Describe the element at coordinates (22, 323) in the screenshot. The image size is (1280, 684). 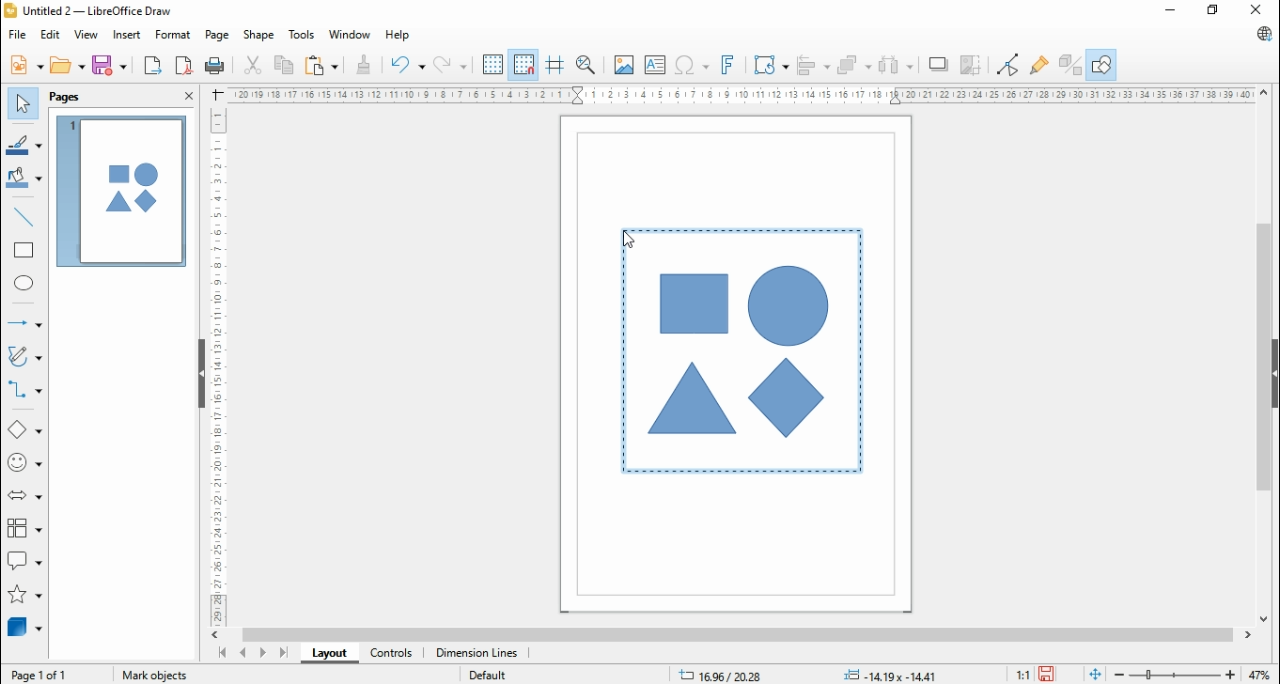
I see `lines and arrows` at that location.